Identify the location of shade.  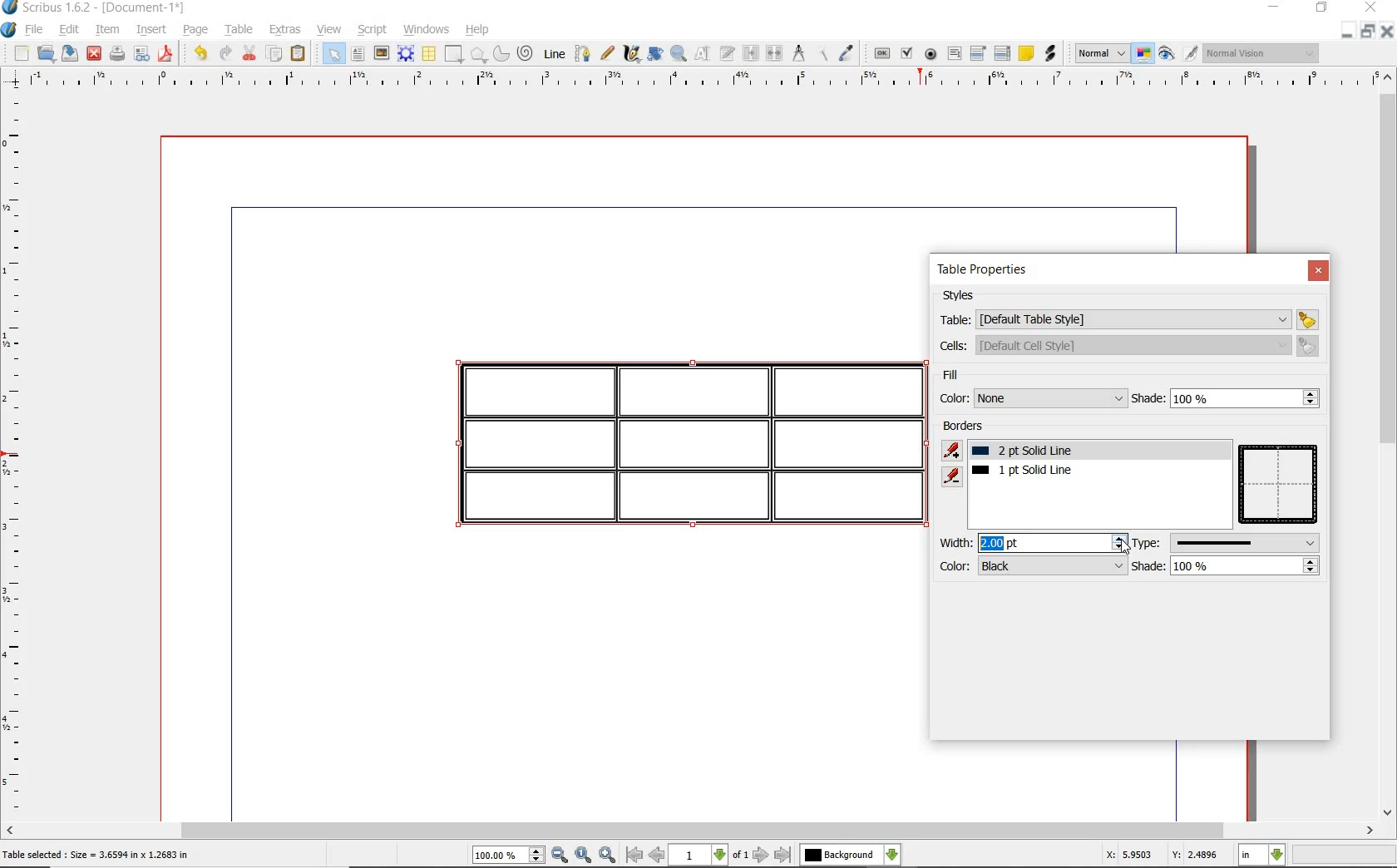
(1227, 398).